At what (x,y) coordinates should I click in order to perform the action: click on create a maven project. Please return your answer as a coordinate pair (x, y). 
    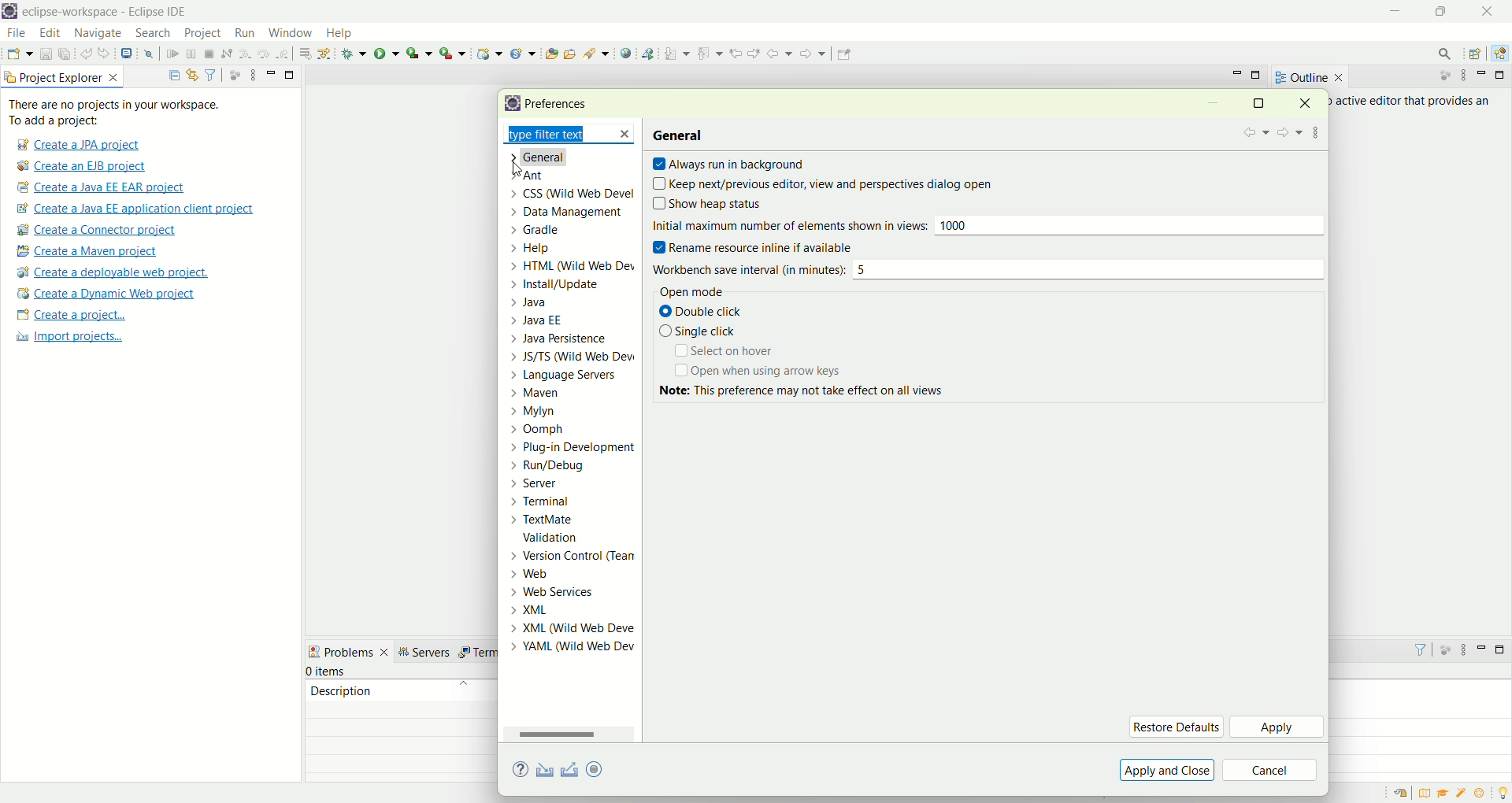
    Looking at the image, I should click on (92, 252).